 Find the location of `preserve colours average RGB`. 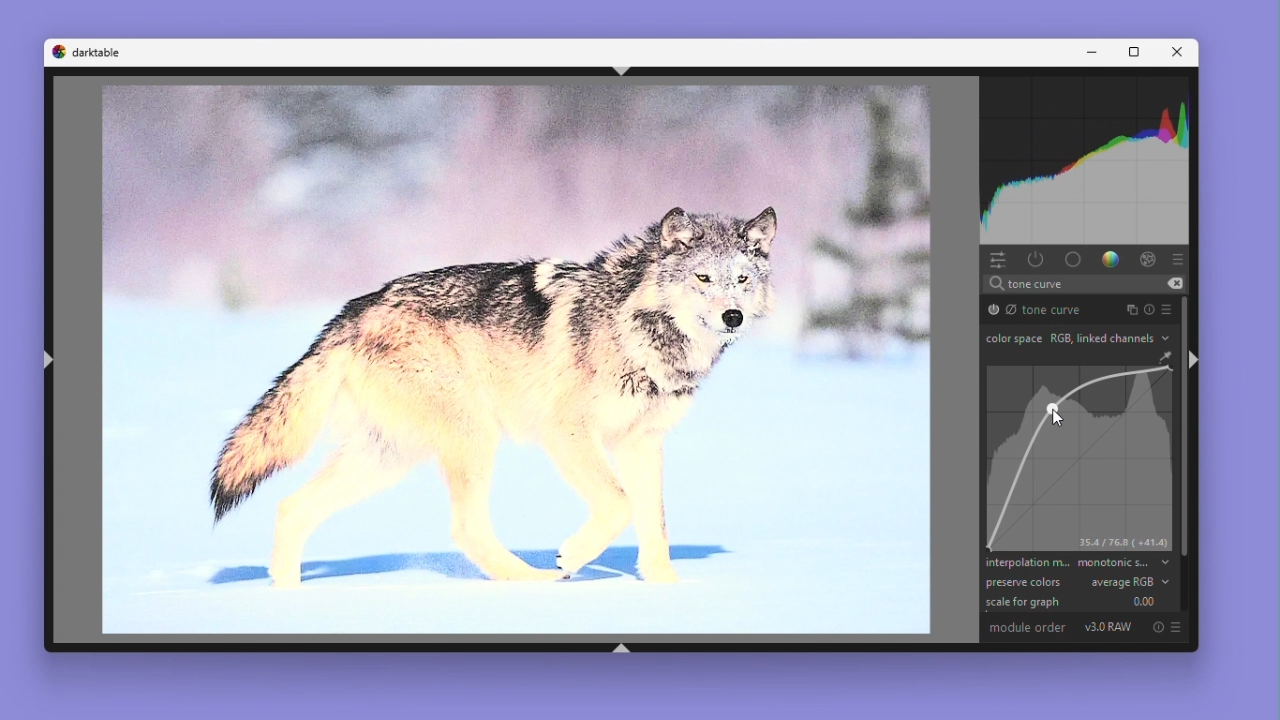

preserve colours average RGB is located at coordinates (1076, 582).